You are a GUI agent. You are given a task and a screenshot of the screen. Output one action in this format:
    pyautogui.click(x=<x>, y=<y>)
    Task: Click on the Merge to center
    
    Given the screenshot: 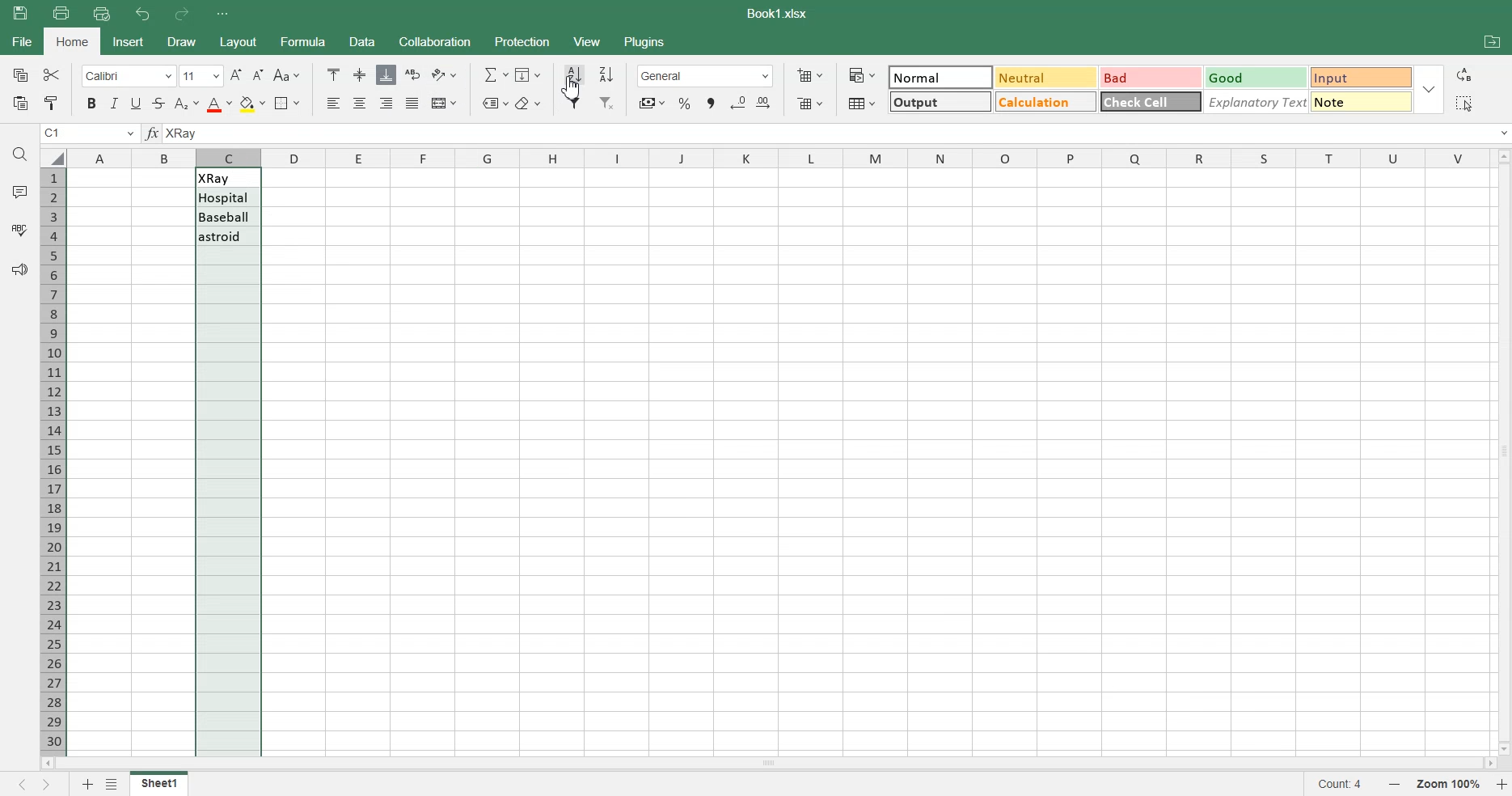 What is the action you would take?
    pyautogui.click(x=443, y=103)
    